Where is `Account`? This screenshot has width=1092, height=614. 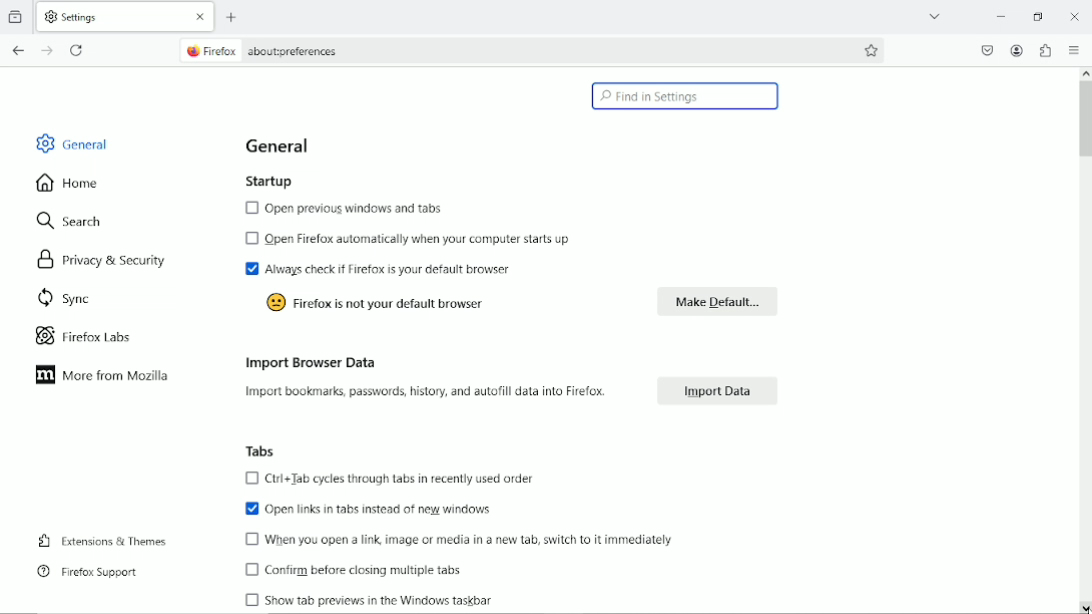 Account is located at coordinates (1018, 51).